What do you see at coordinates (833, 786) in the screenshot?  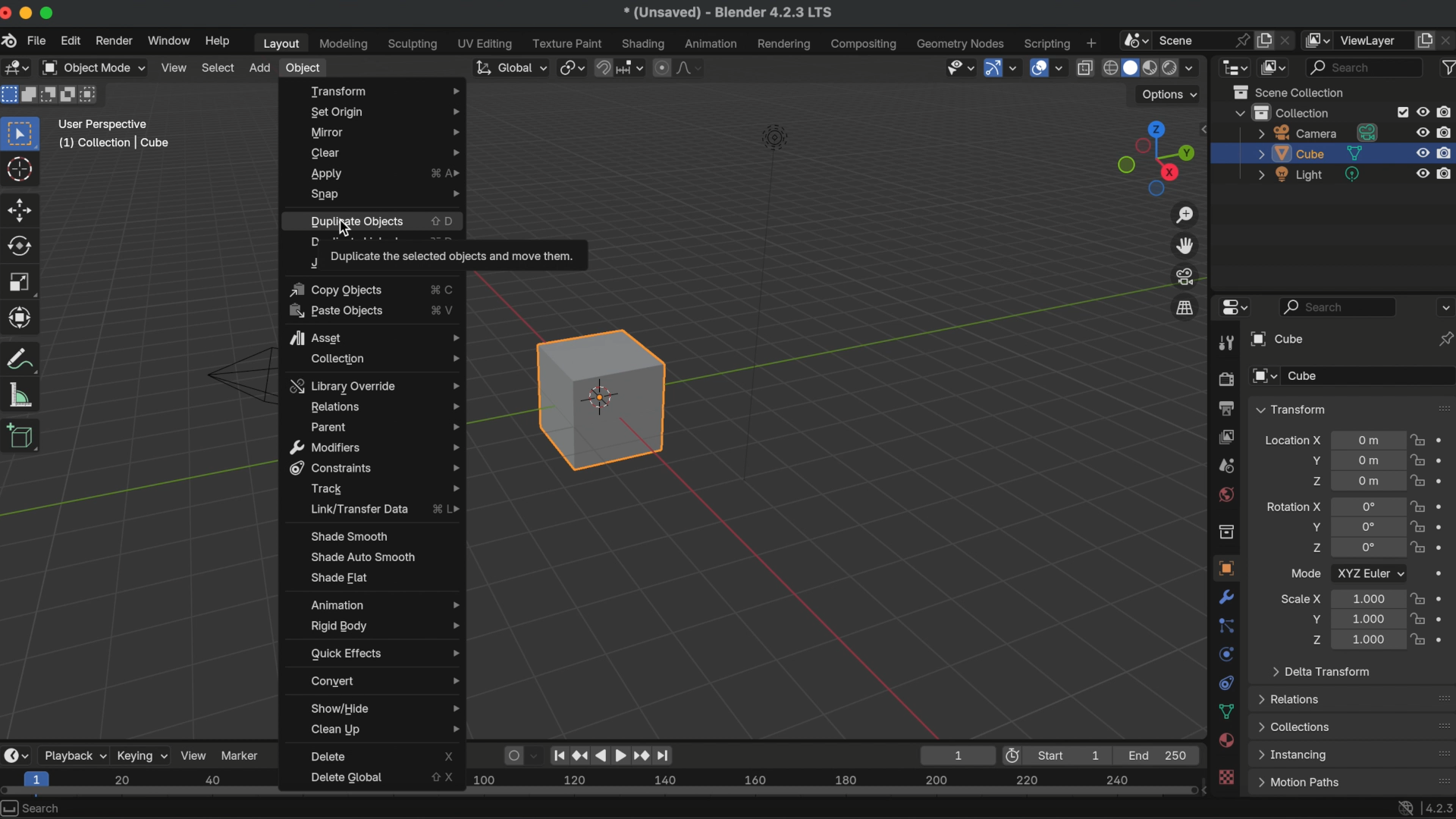 I see `timeline` at bounding box center [833, 786].